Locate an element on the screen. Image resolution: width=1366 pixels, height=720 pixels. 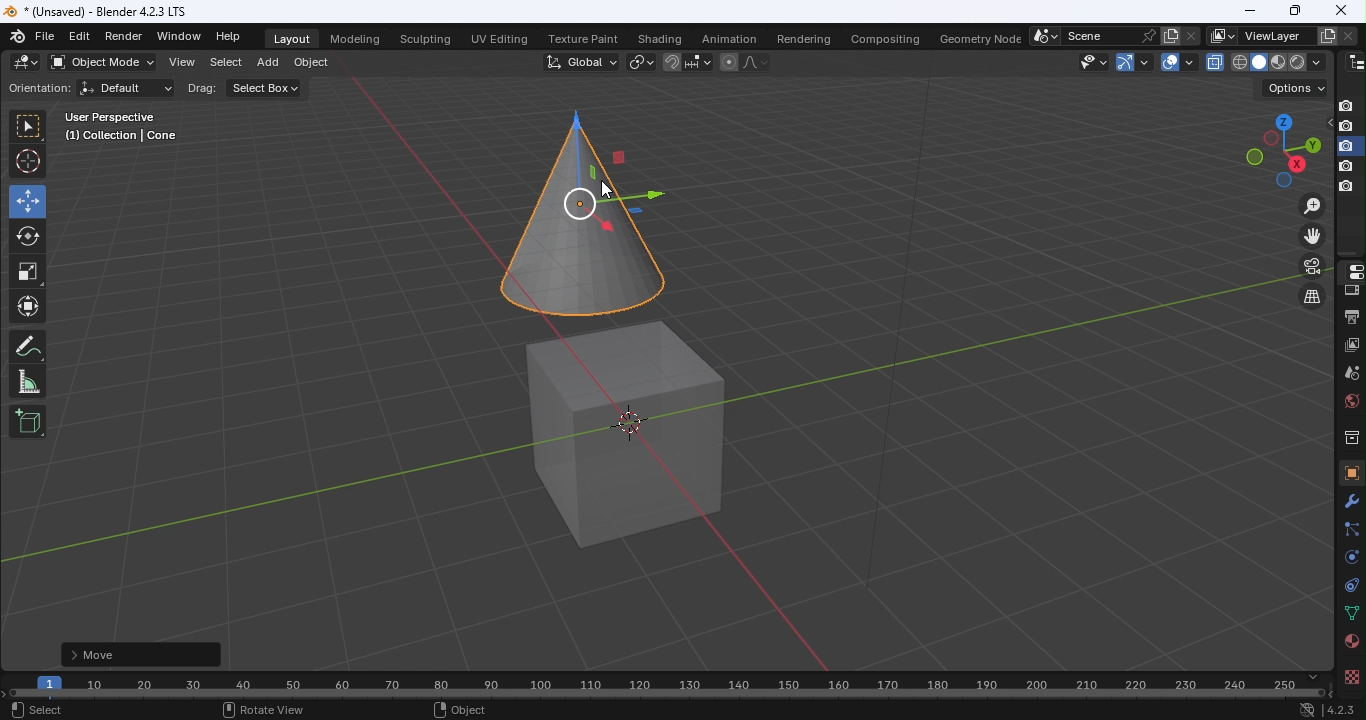
viewpoint shader: Rendered is located at coordinates (1296, 61).